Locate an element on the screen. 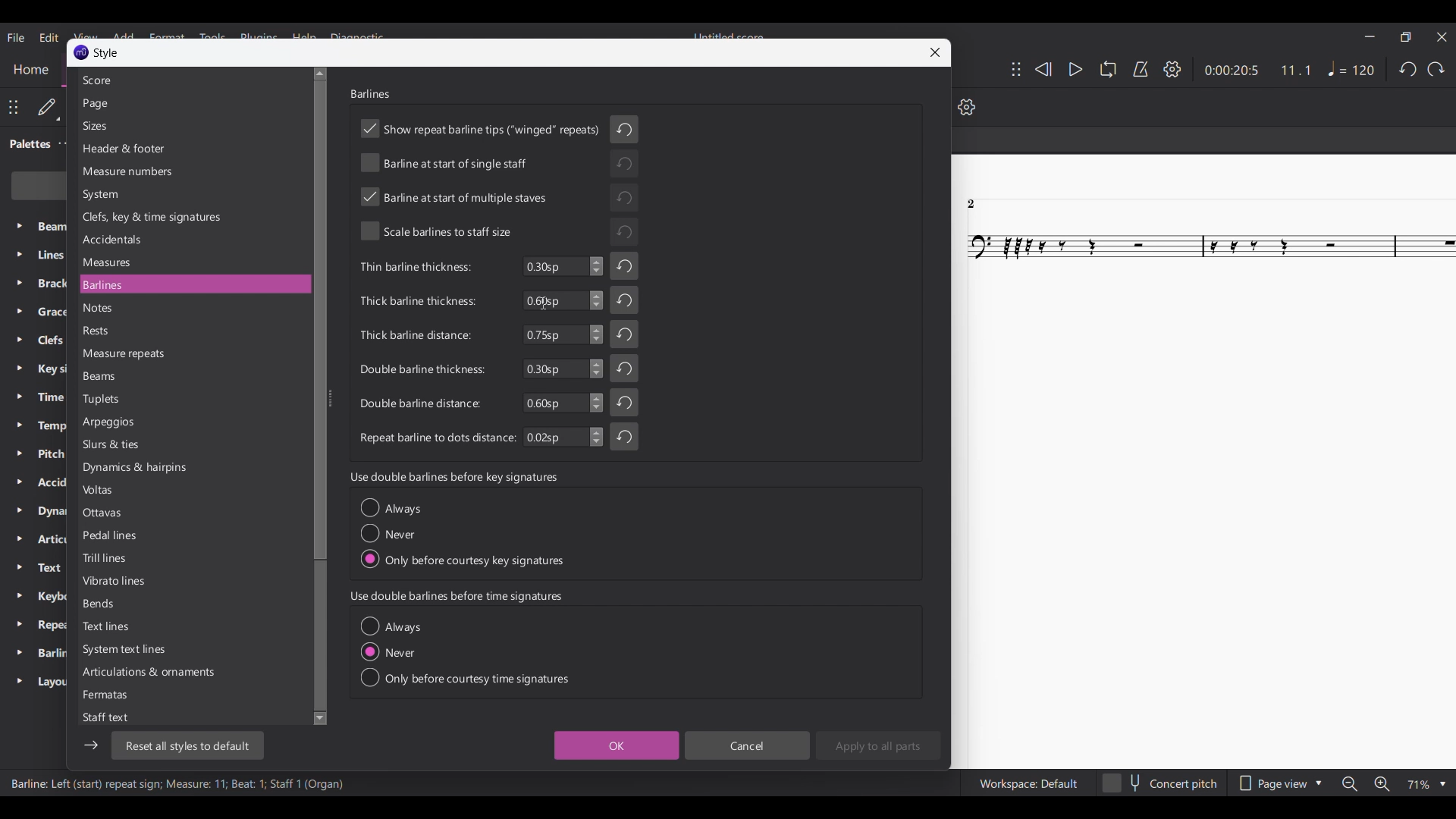 Image resolution: width=1456 pixels, height=819 pixels. Workspace settings is located at coordinates (1028, 783).